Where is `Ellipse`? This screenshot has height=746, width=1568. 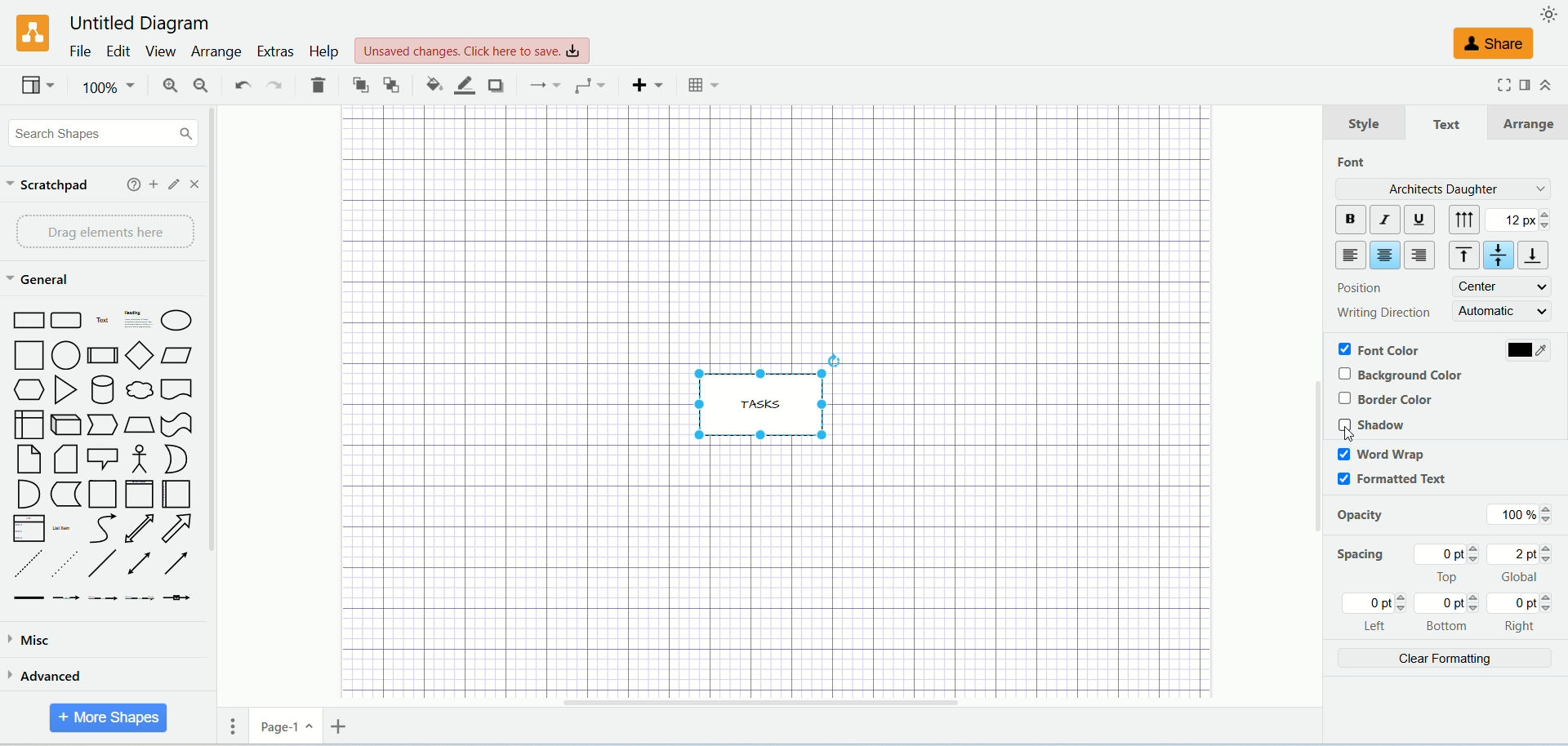 Ellipse is located at coordinates (177, 320).